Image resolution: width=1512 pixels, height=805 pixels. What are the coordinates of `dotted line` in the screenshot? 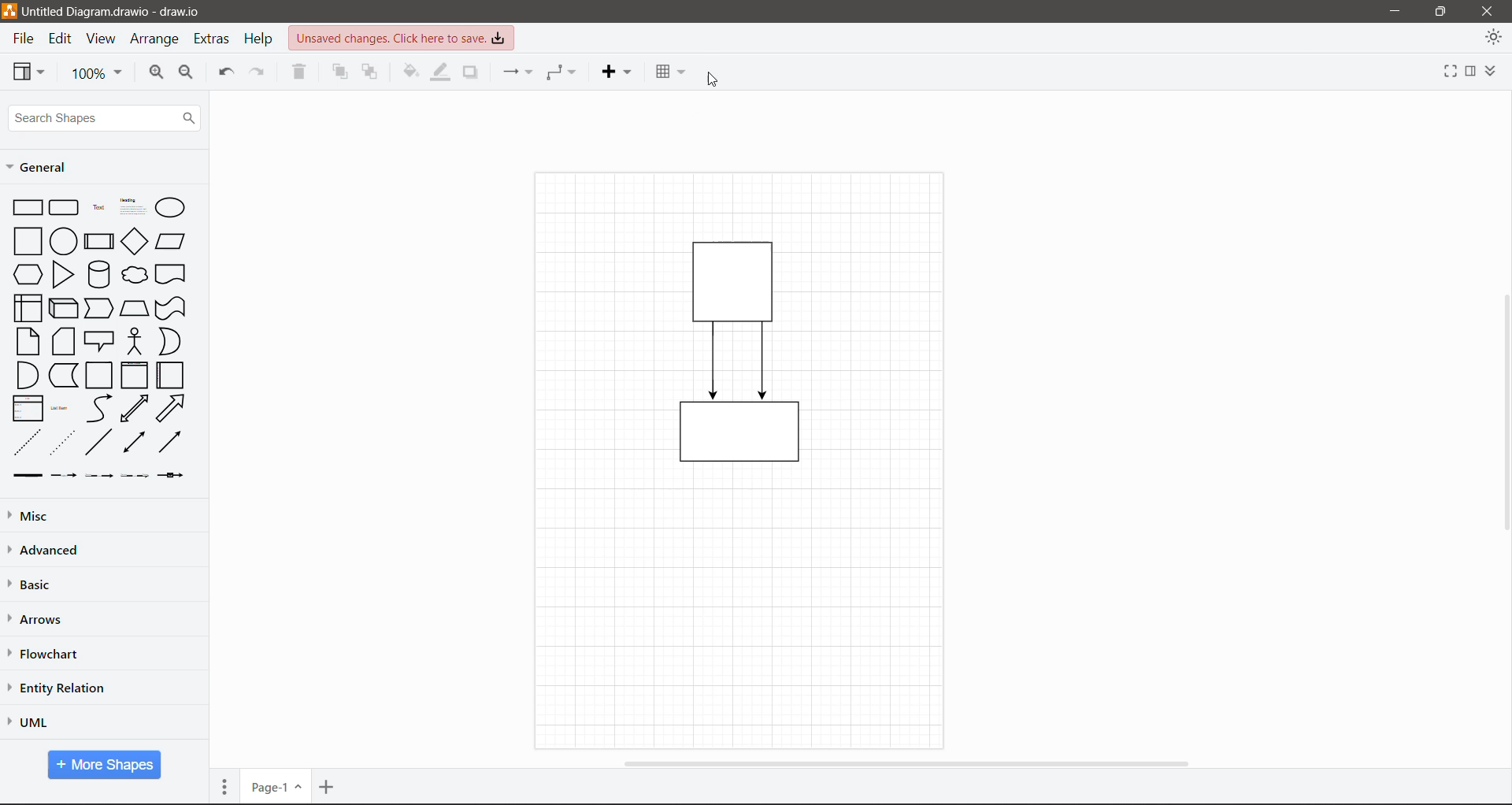 It's located at (62, 442).